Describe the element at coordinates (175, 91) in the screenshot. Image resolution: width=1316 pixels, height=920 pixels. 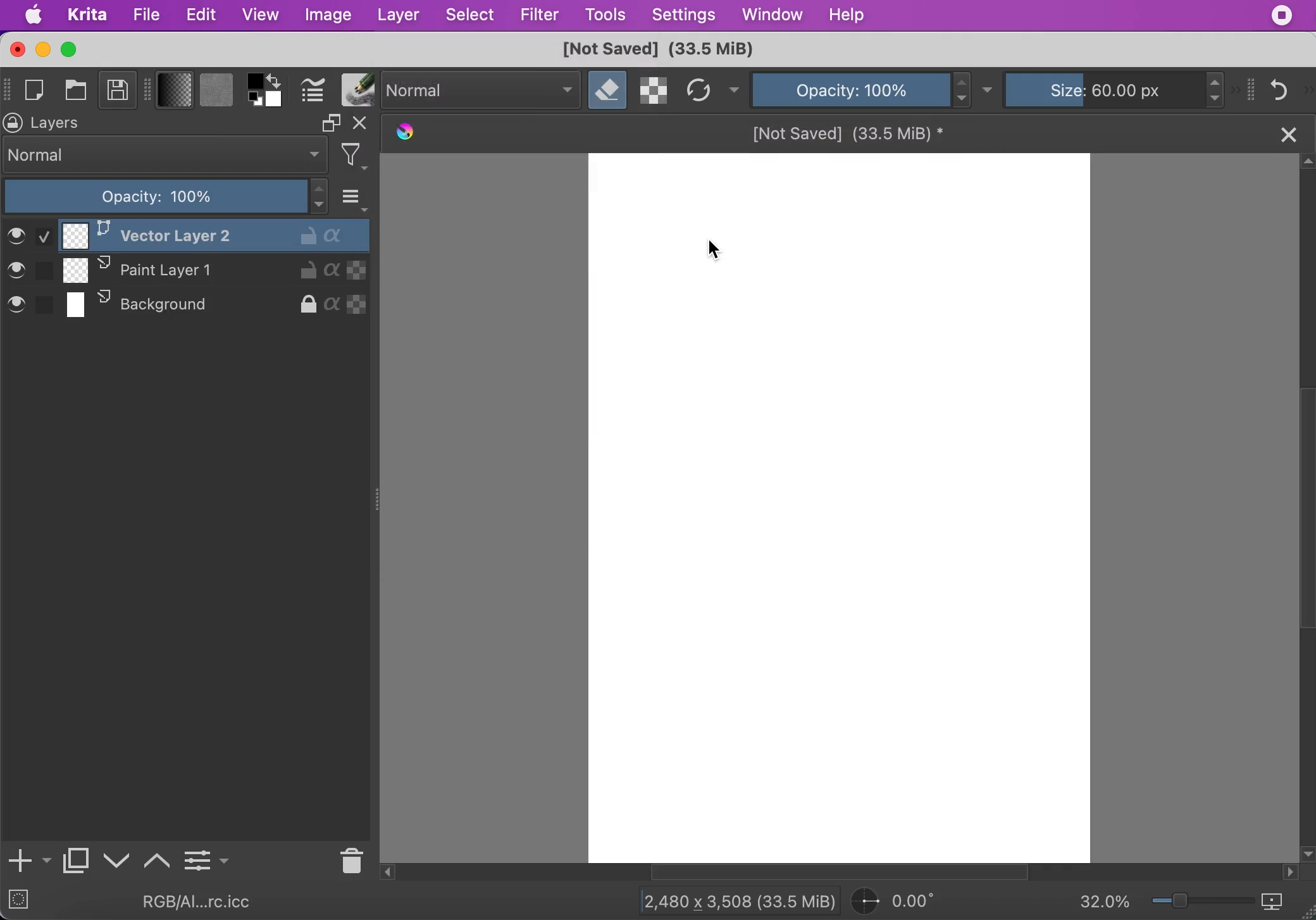
I see `fill gradients` at that location.